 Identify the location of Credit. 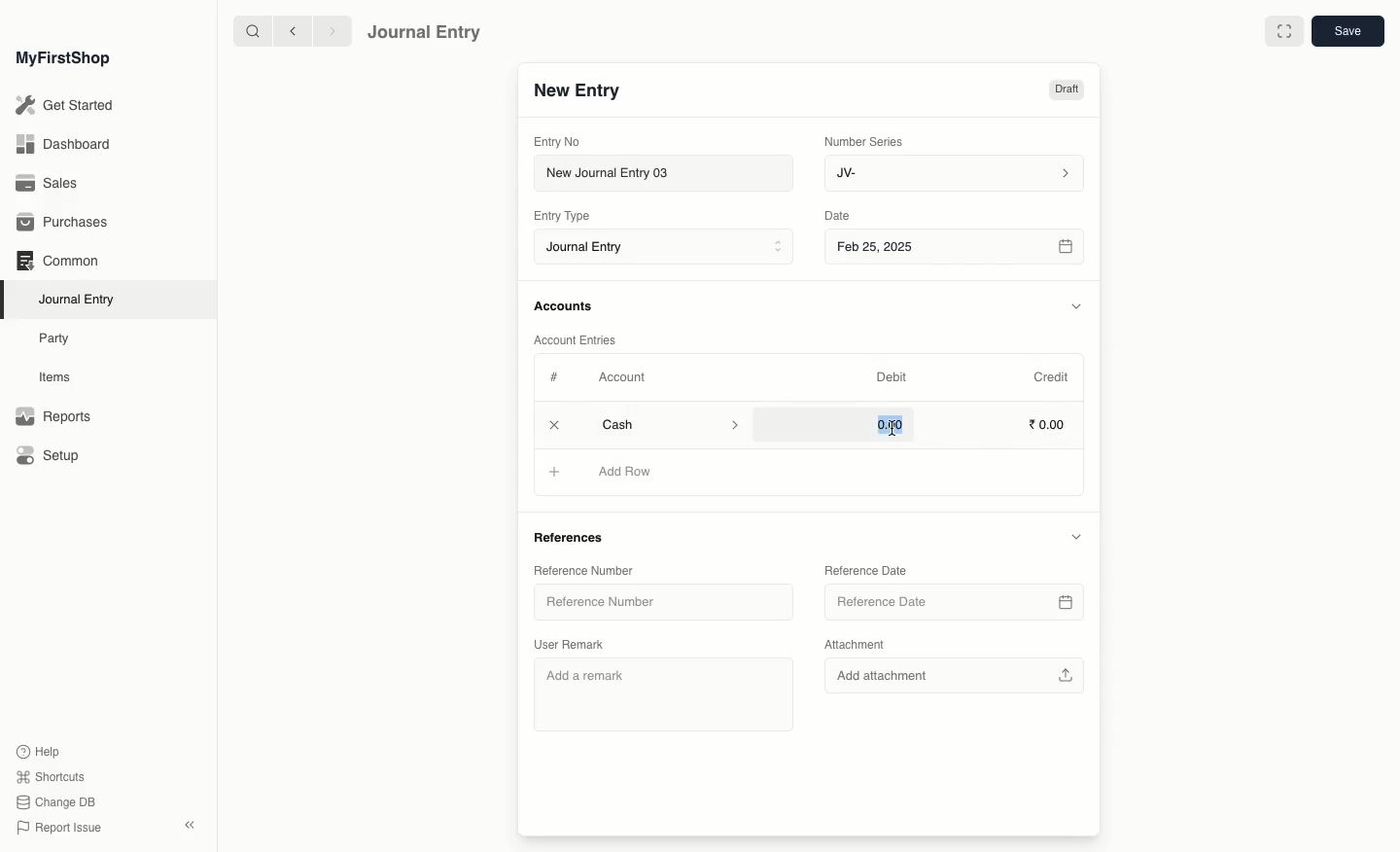
(1050, 375).